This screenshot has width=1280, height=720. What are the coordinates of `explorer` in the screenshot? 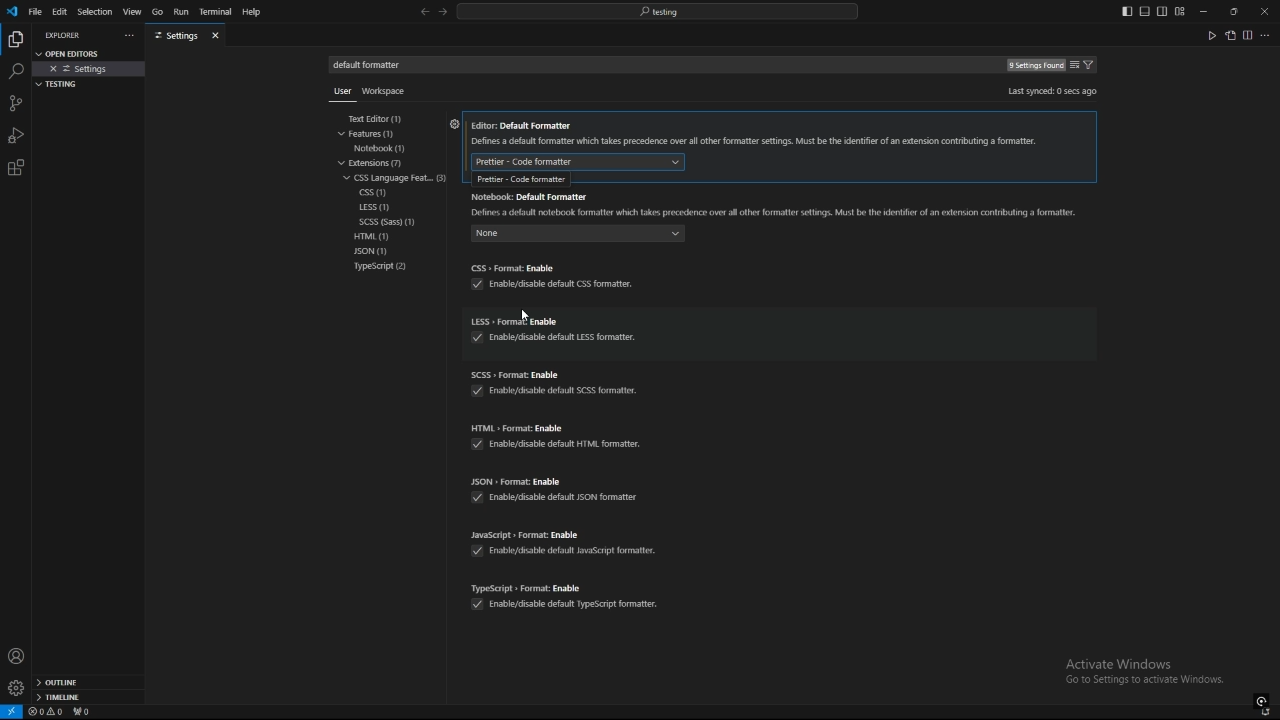 It's located at (66, 35).